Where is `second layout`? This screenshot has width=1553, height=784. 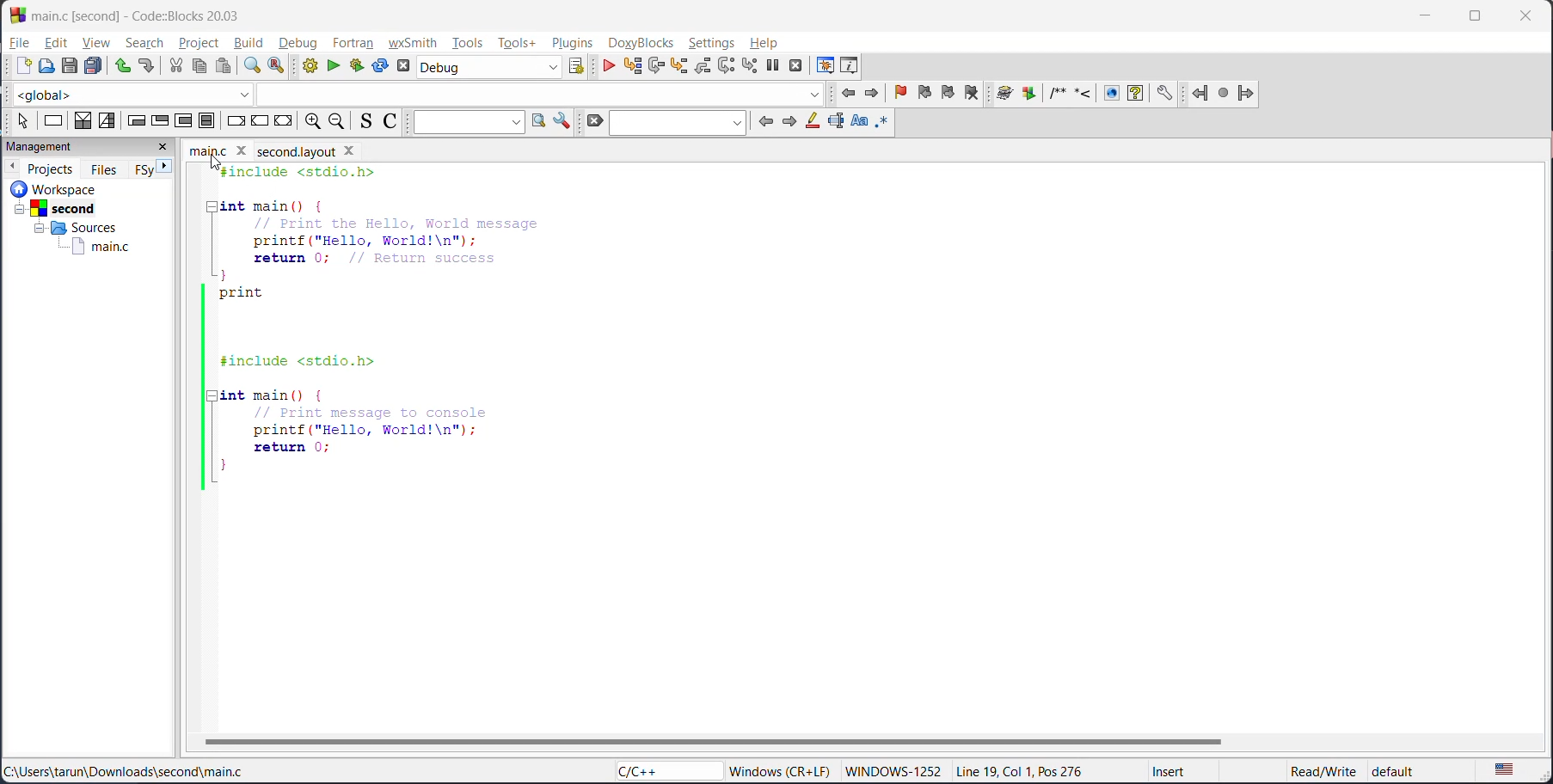 second layout is located at coordinates (321, 151).